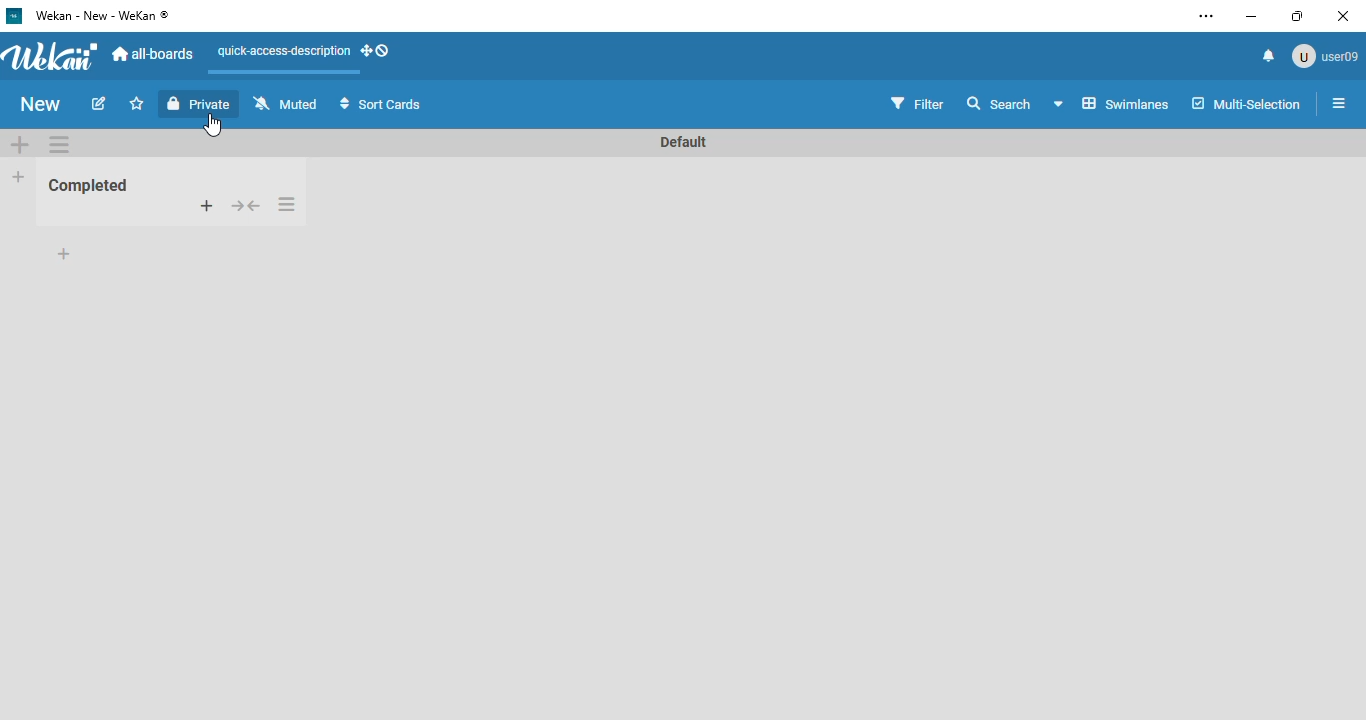 Image resolution: width=1366 pixels, height=720 pixels. What do you see at coordinates (1252, 16) in the screenshot?
I see `minimize` at bounding box center [1252, 16].